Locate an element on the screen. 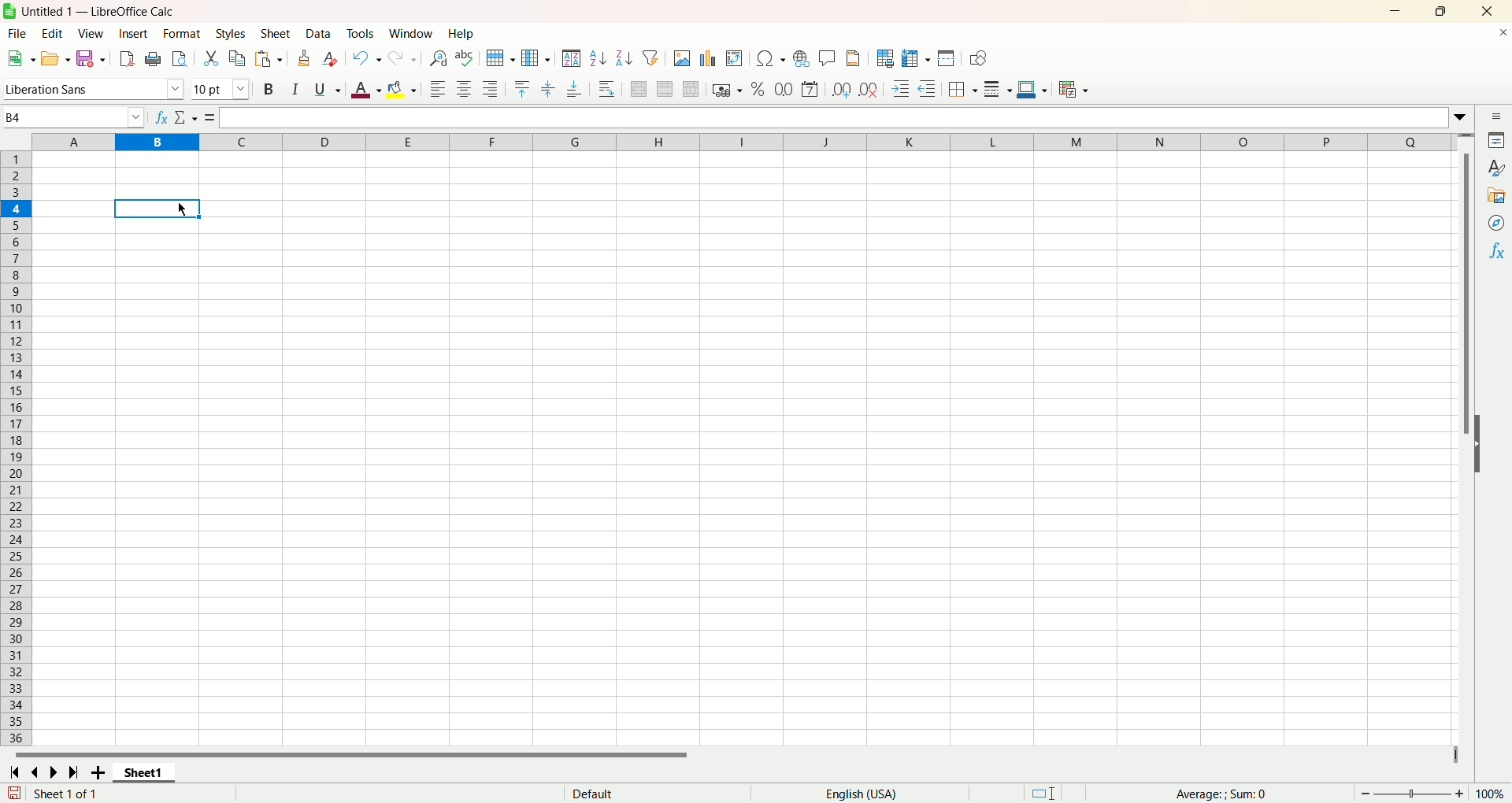  expand formula is located at coordinates (1464, 117).